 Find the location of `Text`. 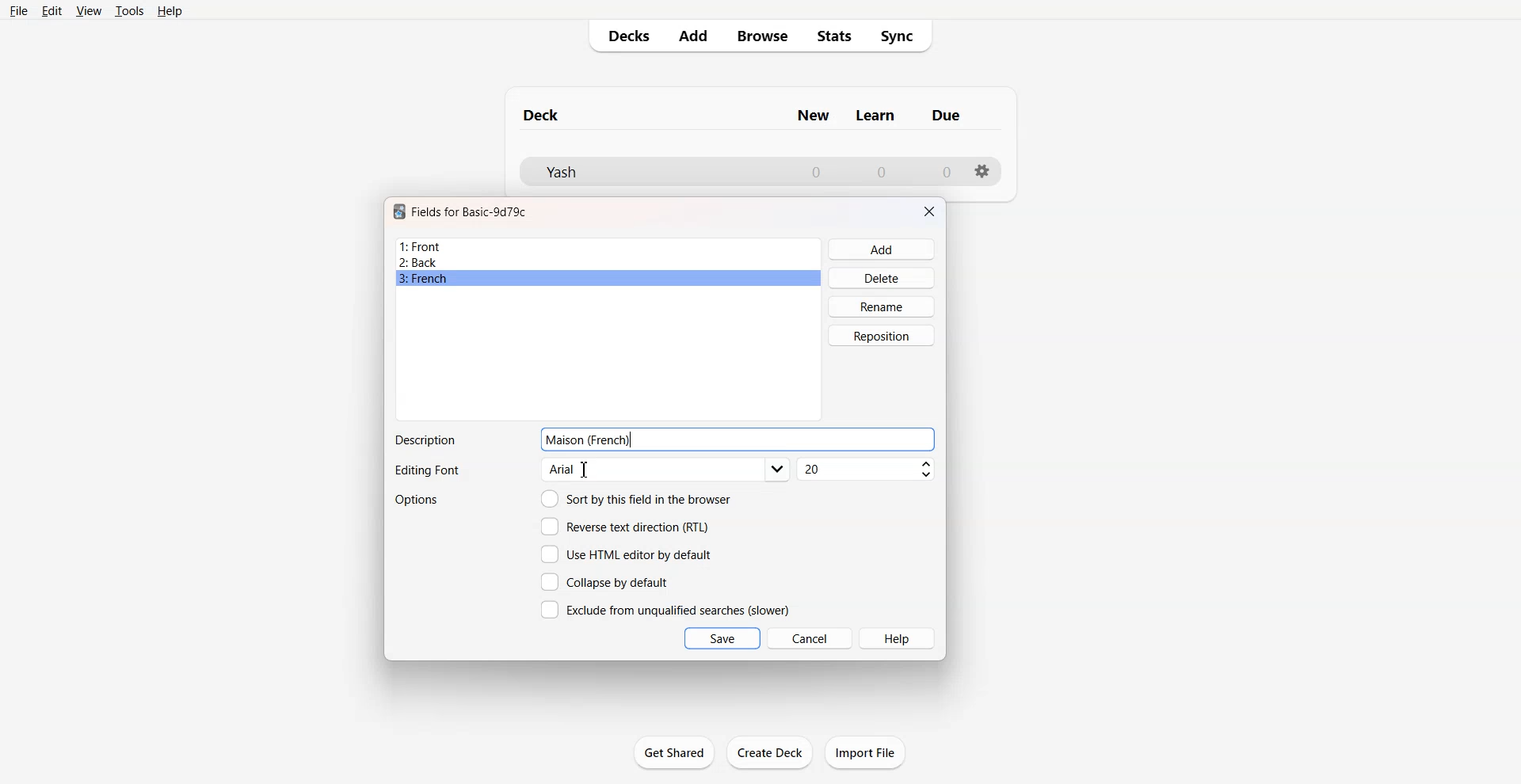

Text is located at coordinates (426, 471).